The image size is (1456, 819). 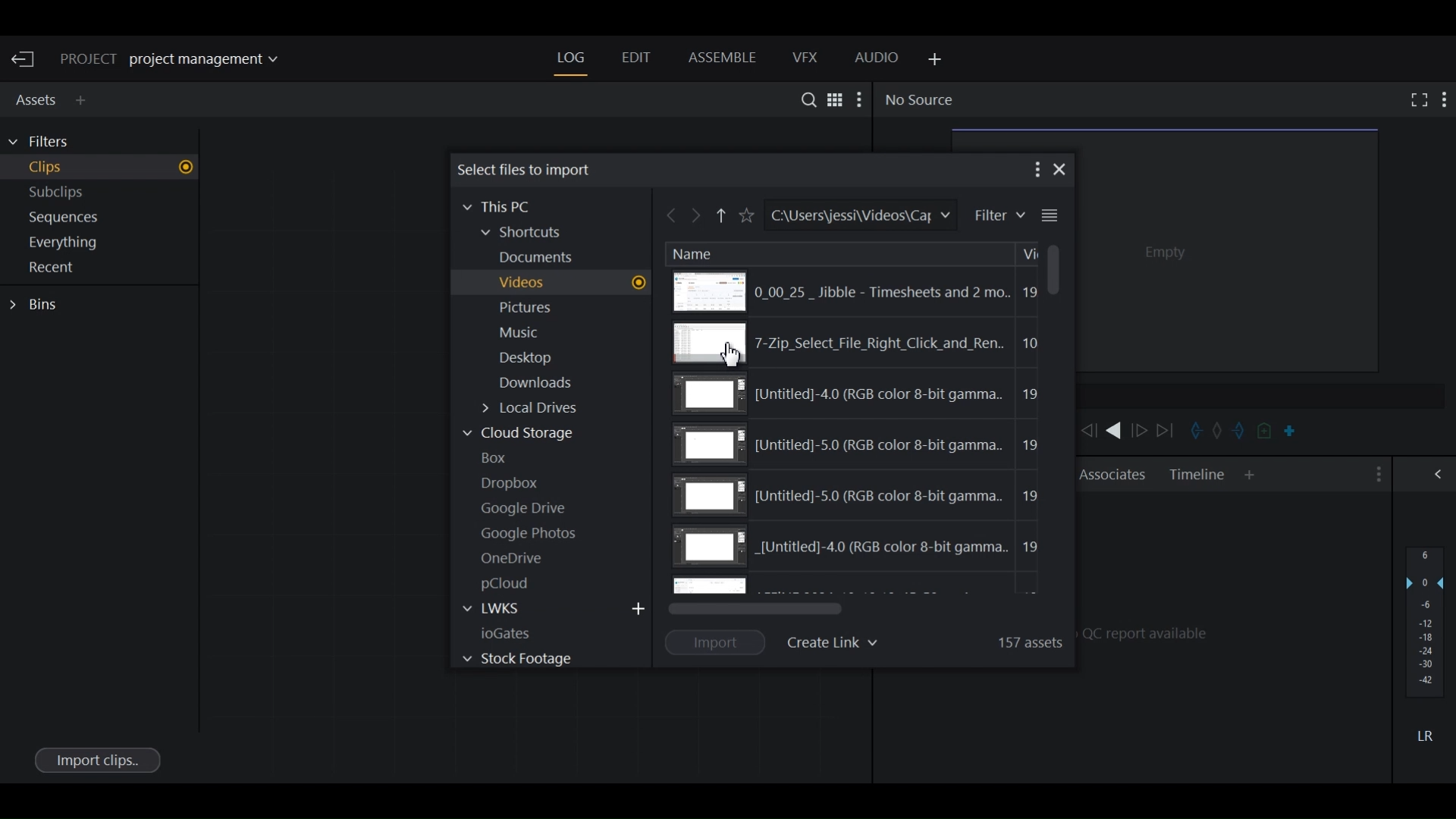 I want to click on Timeline, so click(x=1197, y=475).